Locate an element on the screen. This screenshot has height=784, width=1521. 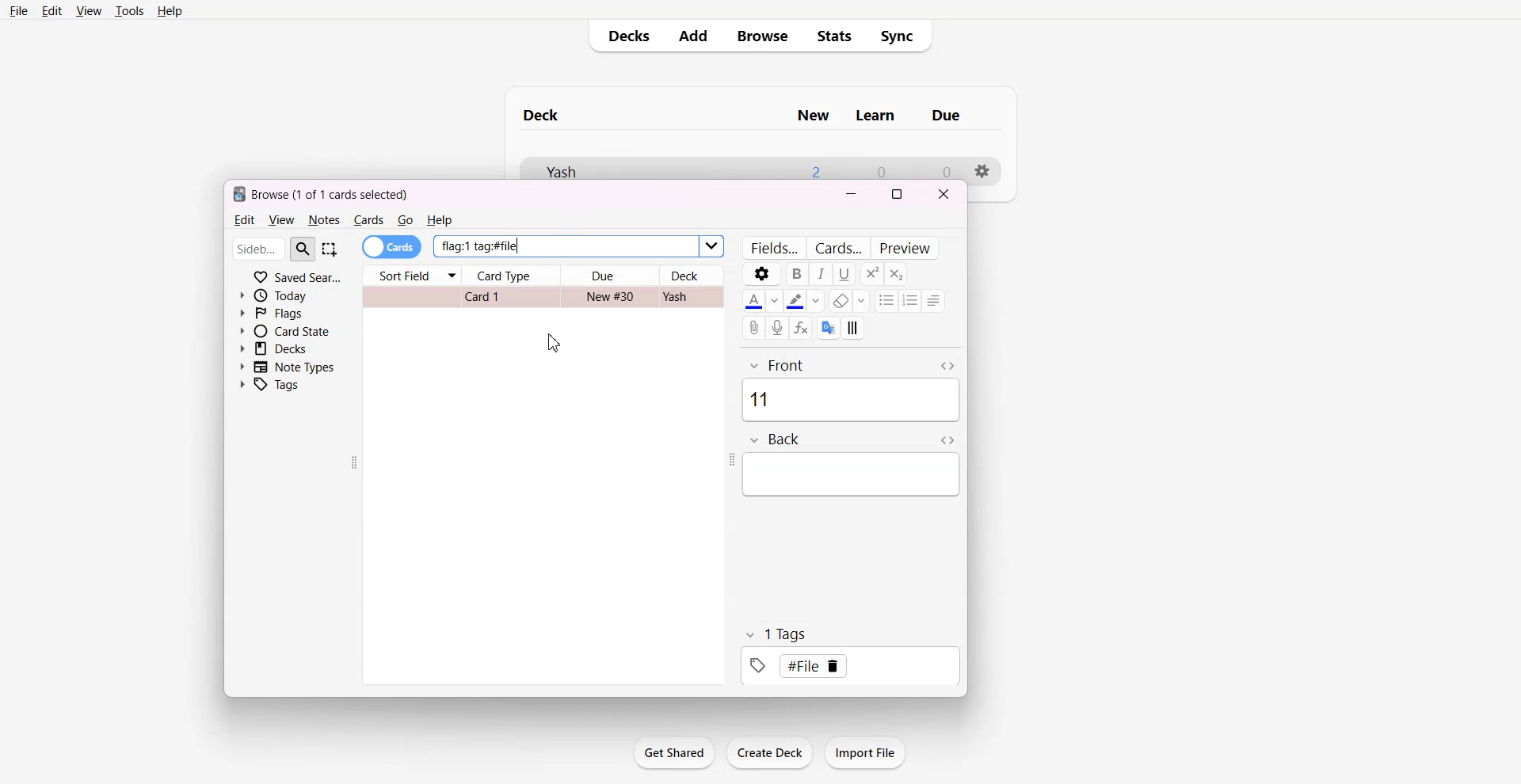
Go is located at coordinates (406, 220).